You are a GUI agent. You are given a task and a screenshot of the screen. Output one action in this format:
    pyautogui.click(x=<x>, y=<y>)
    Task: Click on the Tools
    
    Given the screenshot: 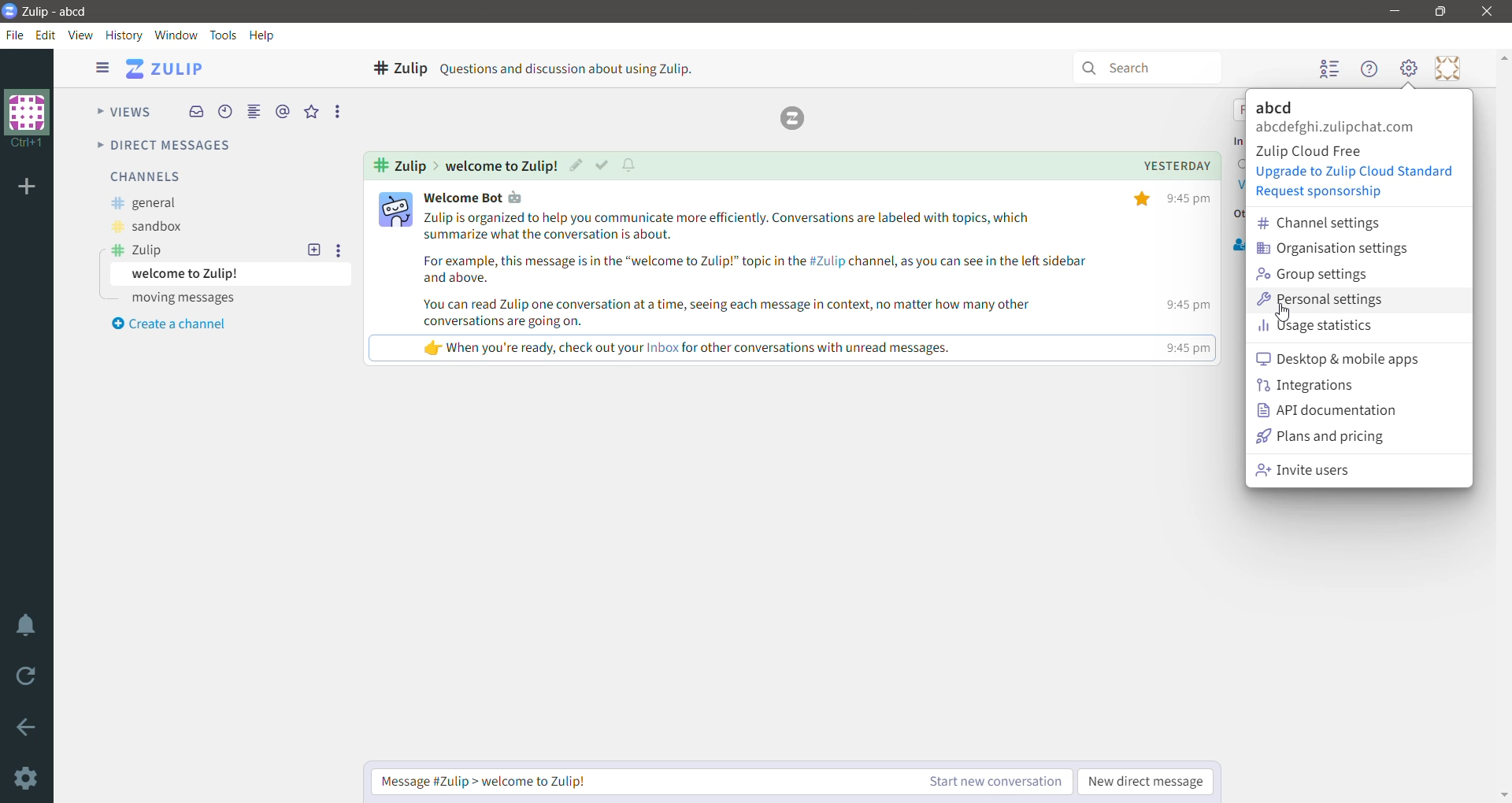 What is the action you would take?
    pyautogui.click(x=225, y=35)
    